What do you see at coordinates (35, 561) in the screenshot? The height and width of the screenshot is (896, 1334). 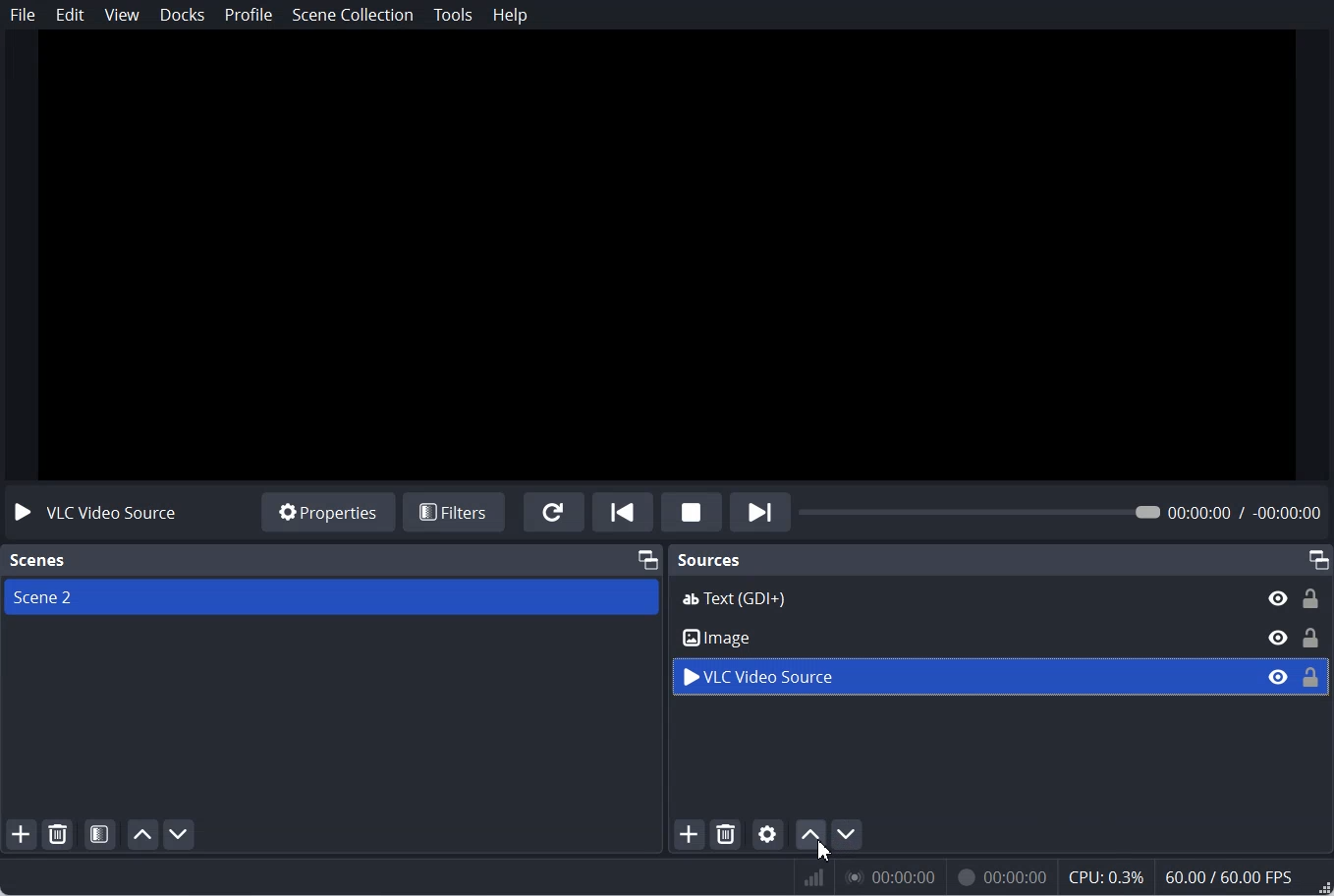 I see `Text` at bounding box center [35, 561].